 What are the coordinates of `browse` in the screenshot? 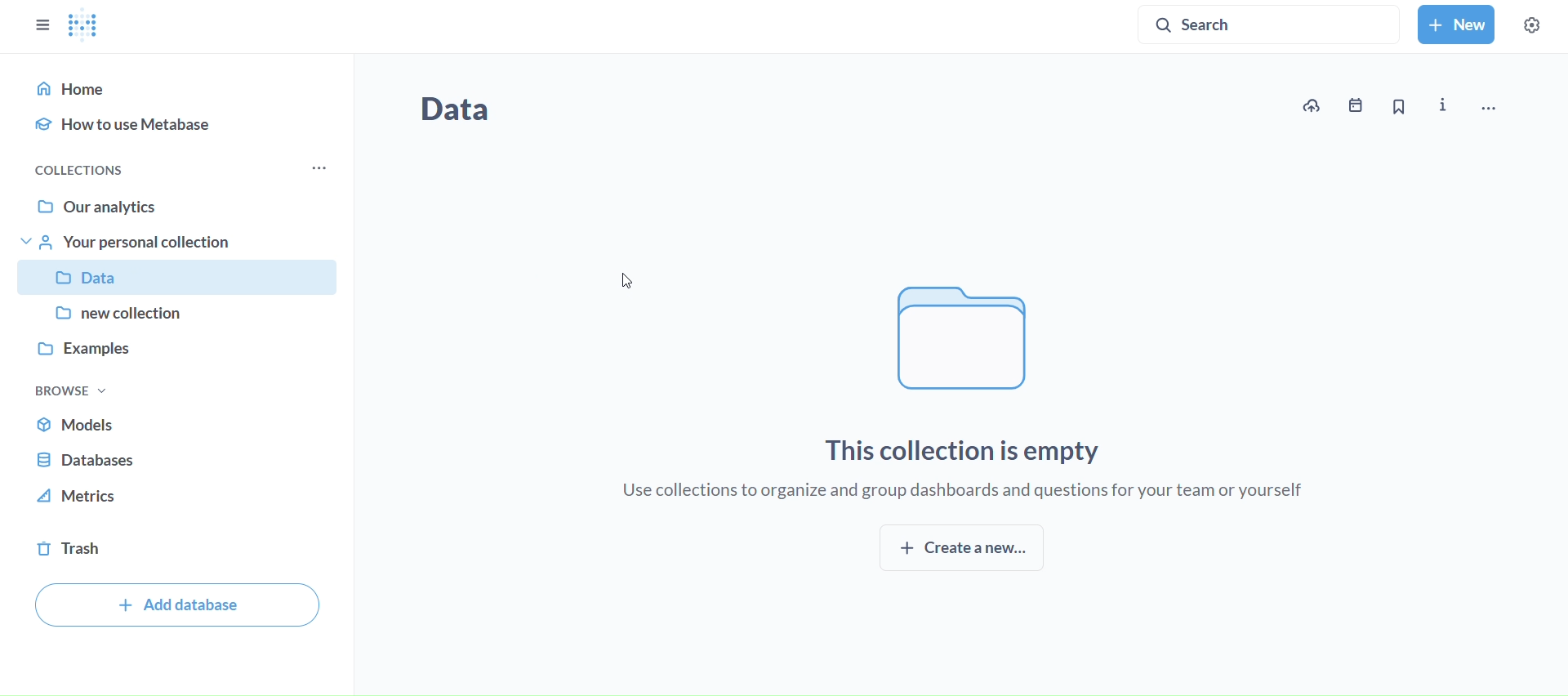 It's located at (69, 390).